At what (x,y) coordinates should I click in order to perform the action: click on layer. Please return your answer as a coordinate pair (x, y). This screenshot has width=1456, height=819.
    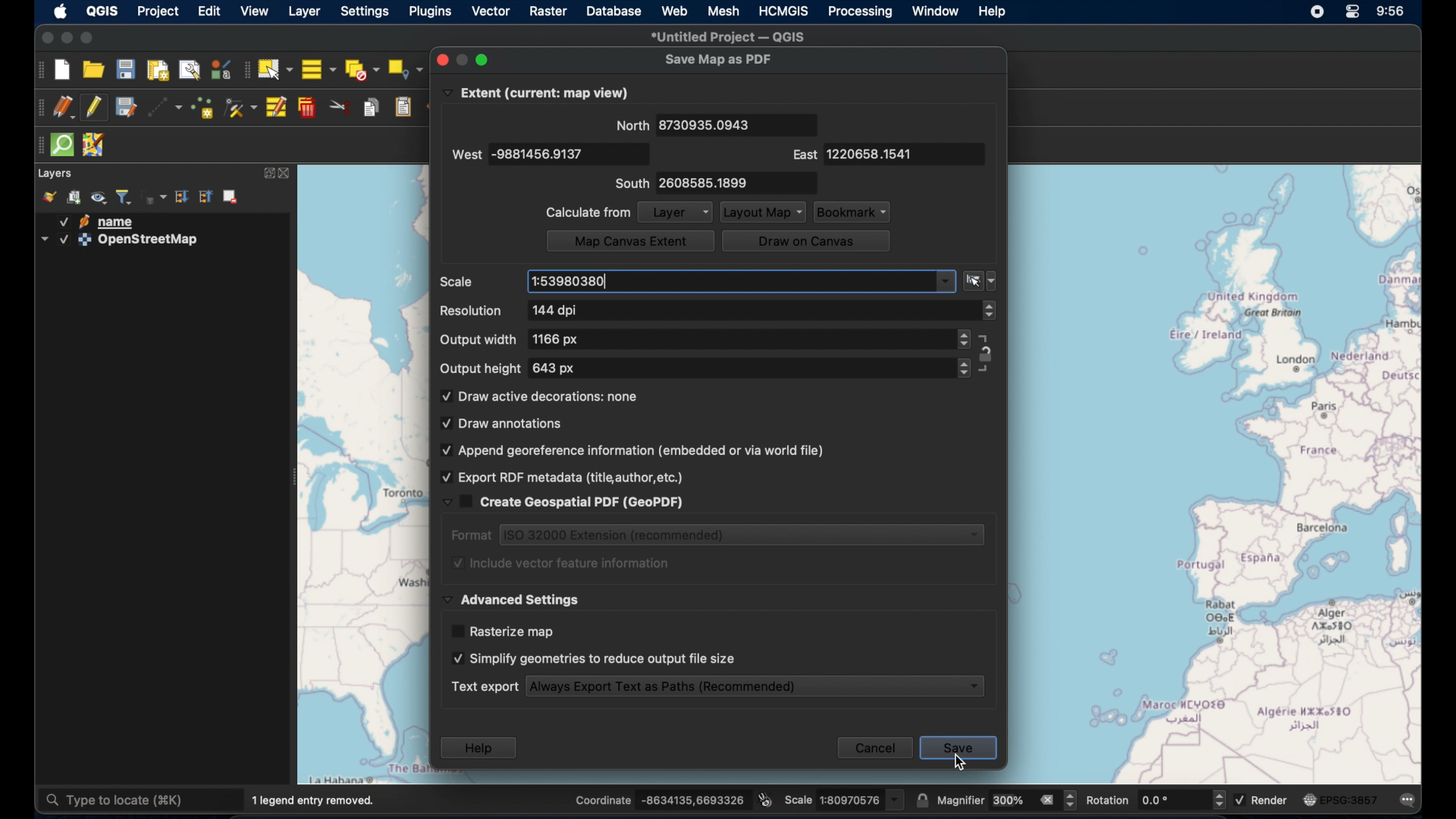
    Looking at the image, I should click on (56, 174).